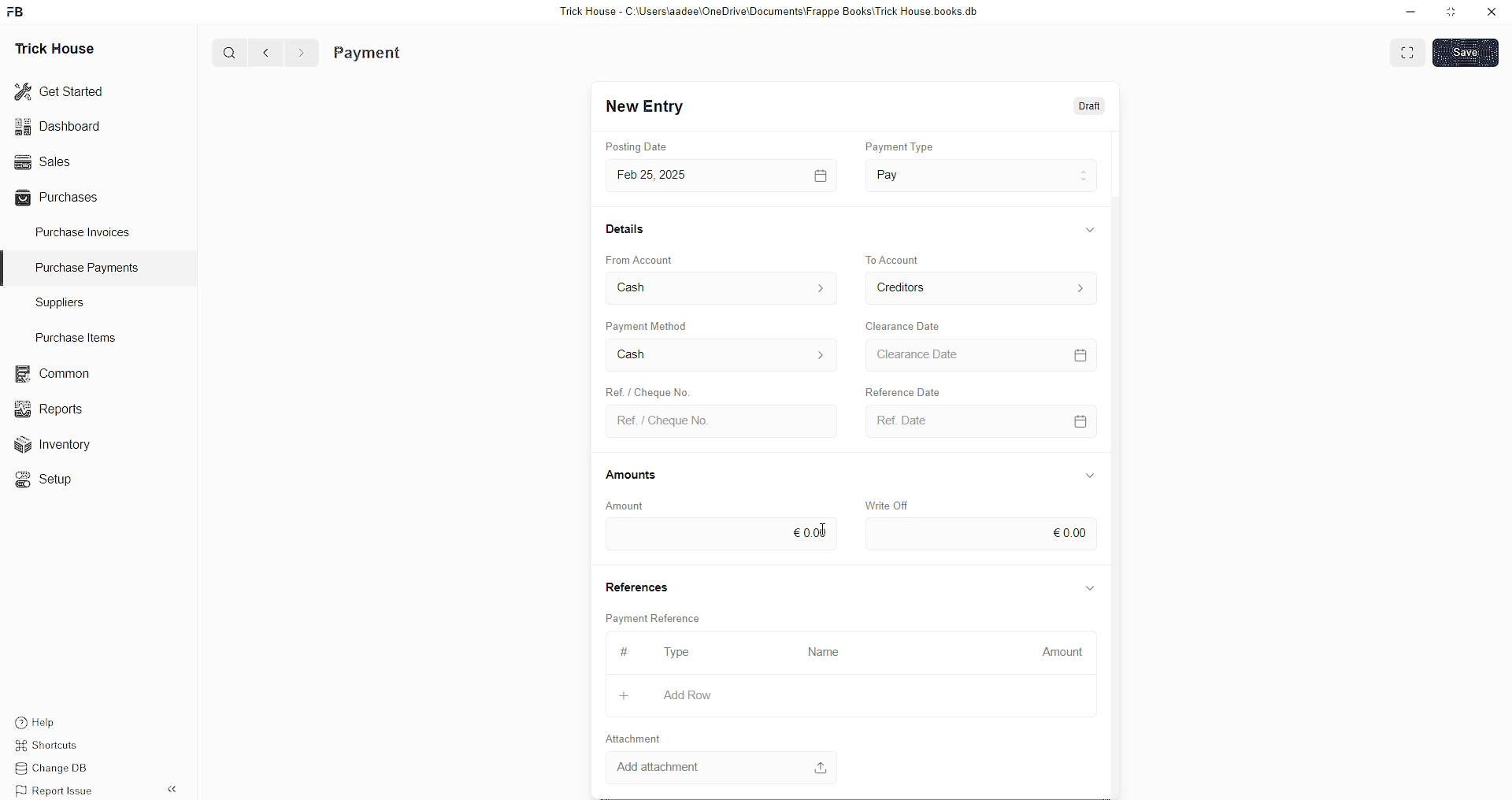 The image size is (1512, 800). I want to click on calendar, so click(1080, 355).